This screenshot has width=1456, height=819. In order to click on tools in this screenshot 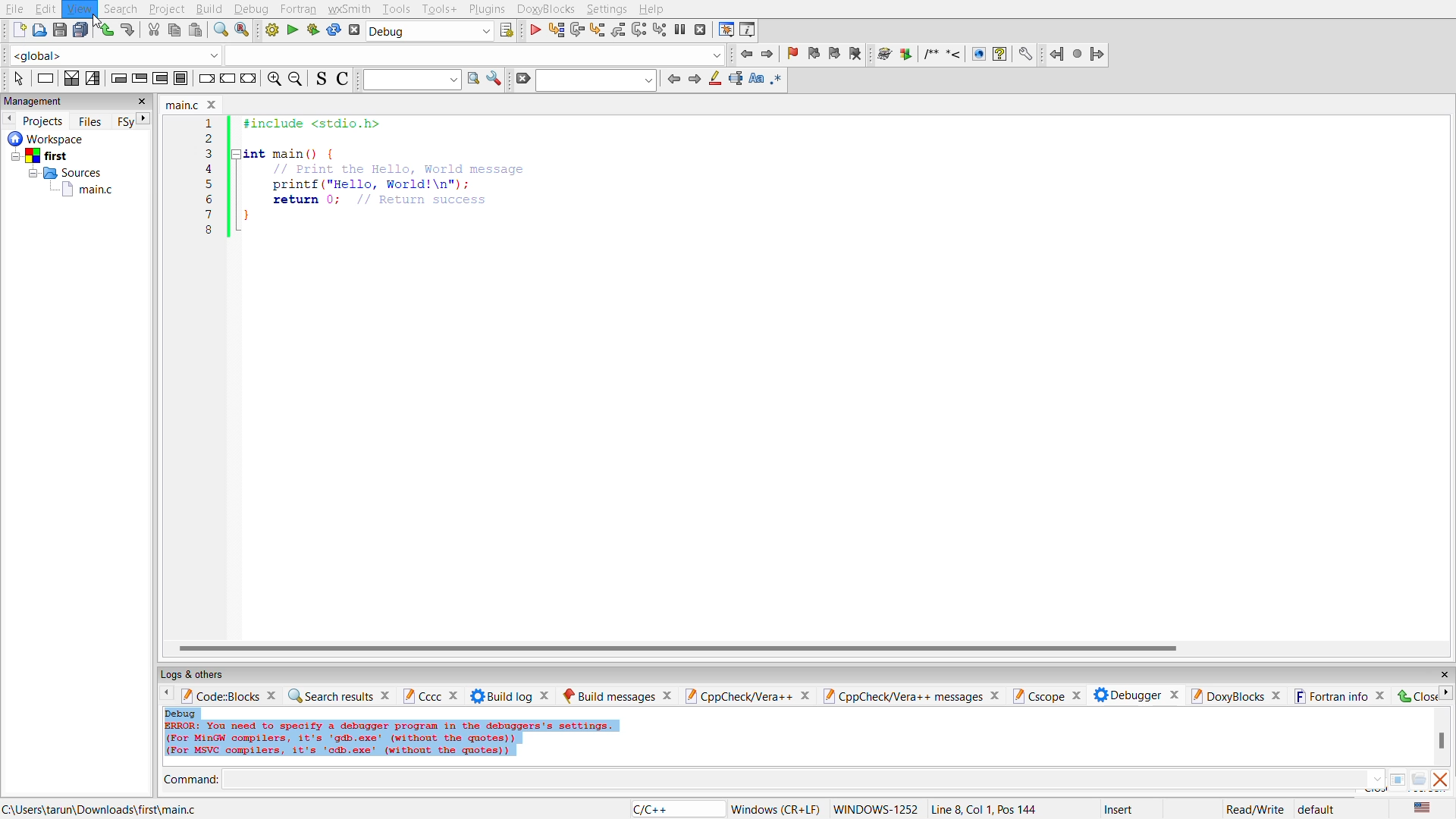, I will do `click(398, 11)`.